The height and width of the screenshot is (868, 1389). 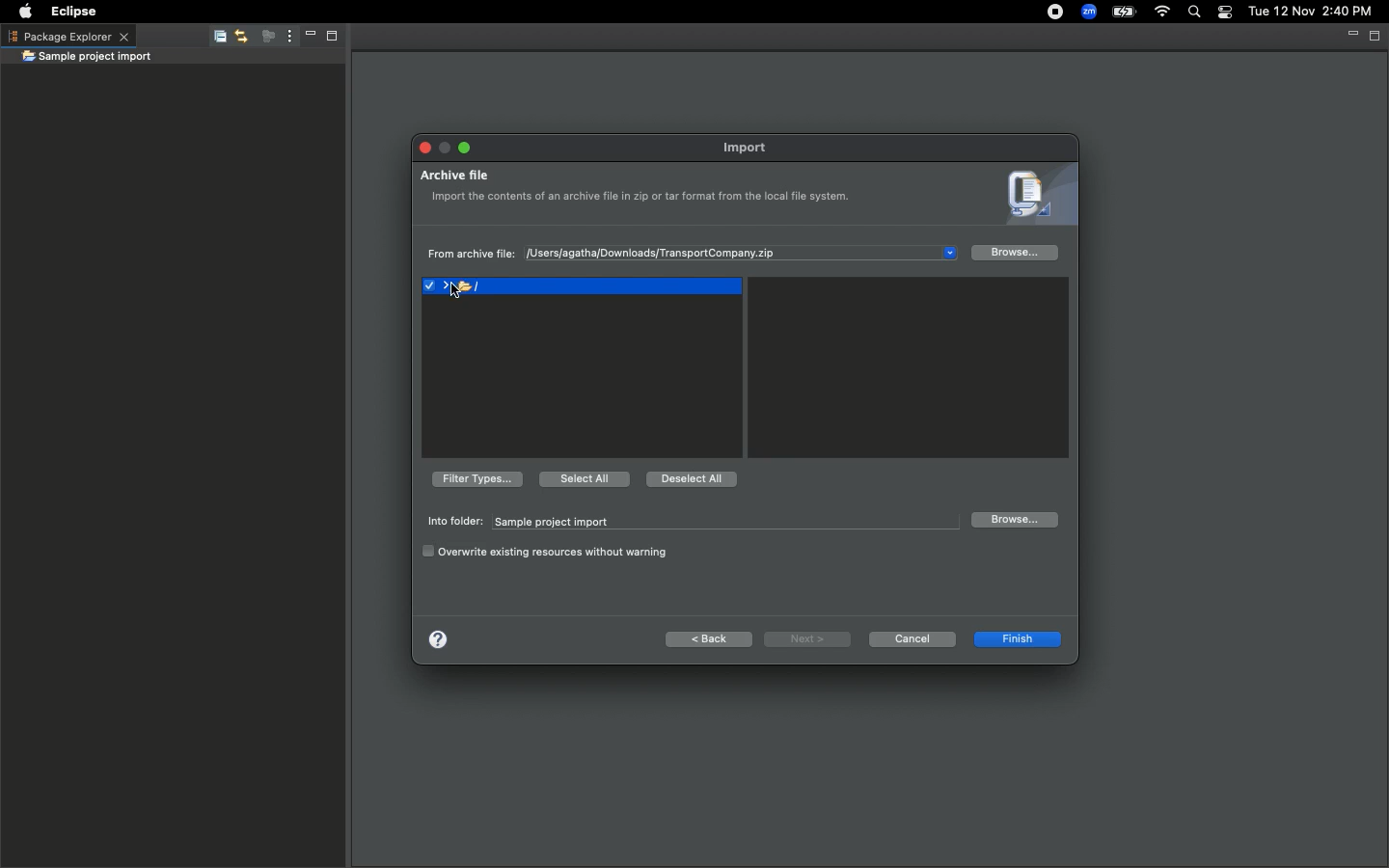 I want to click on Open menu, so click(x=954, y=253).